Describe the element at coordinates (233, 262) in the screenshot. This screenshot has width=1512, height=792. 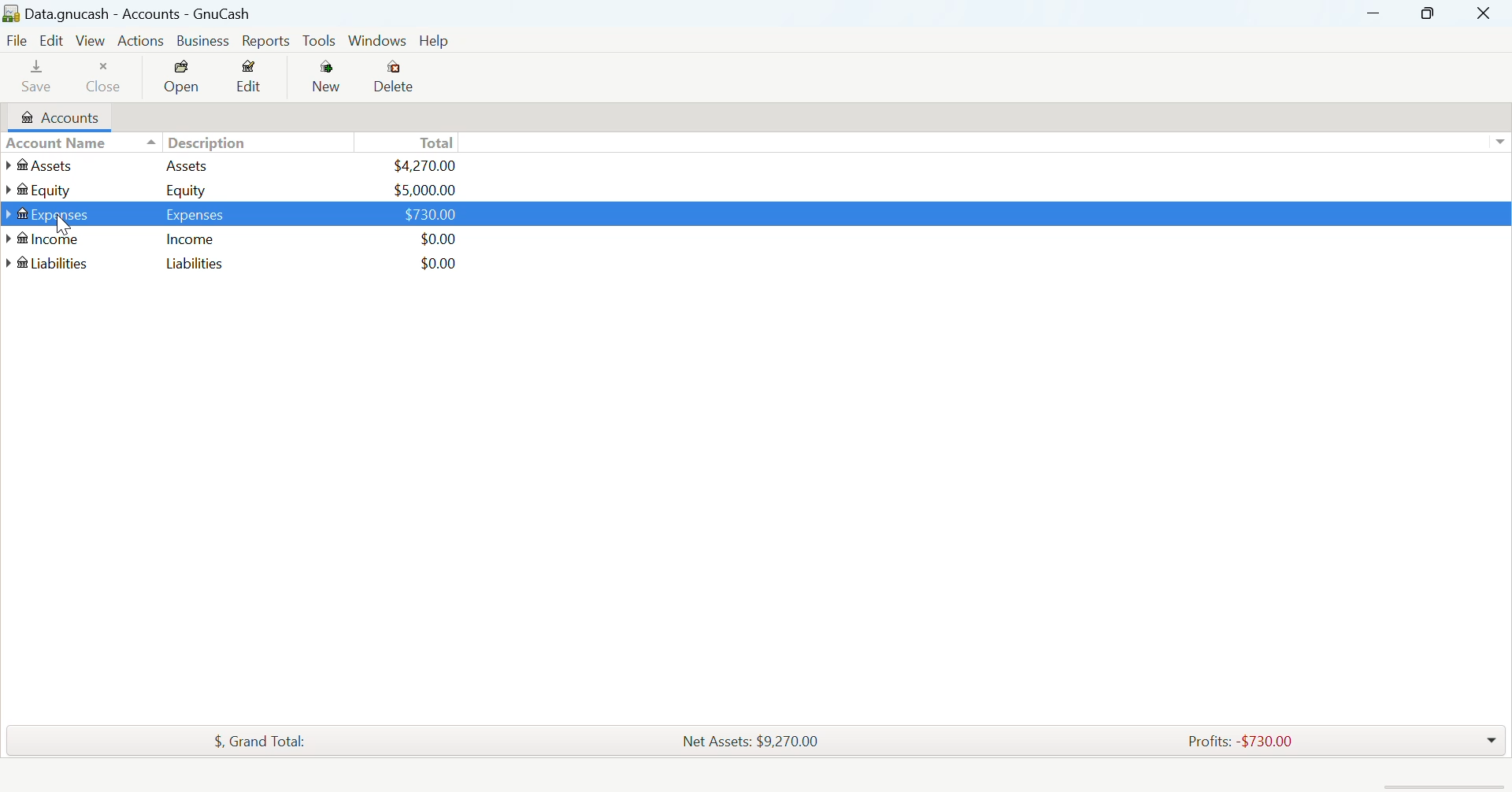
I see `Liabilities` at that location.